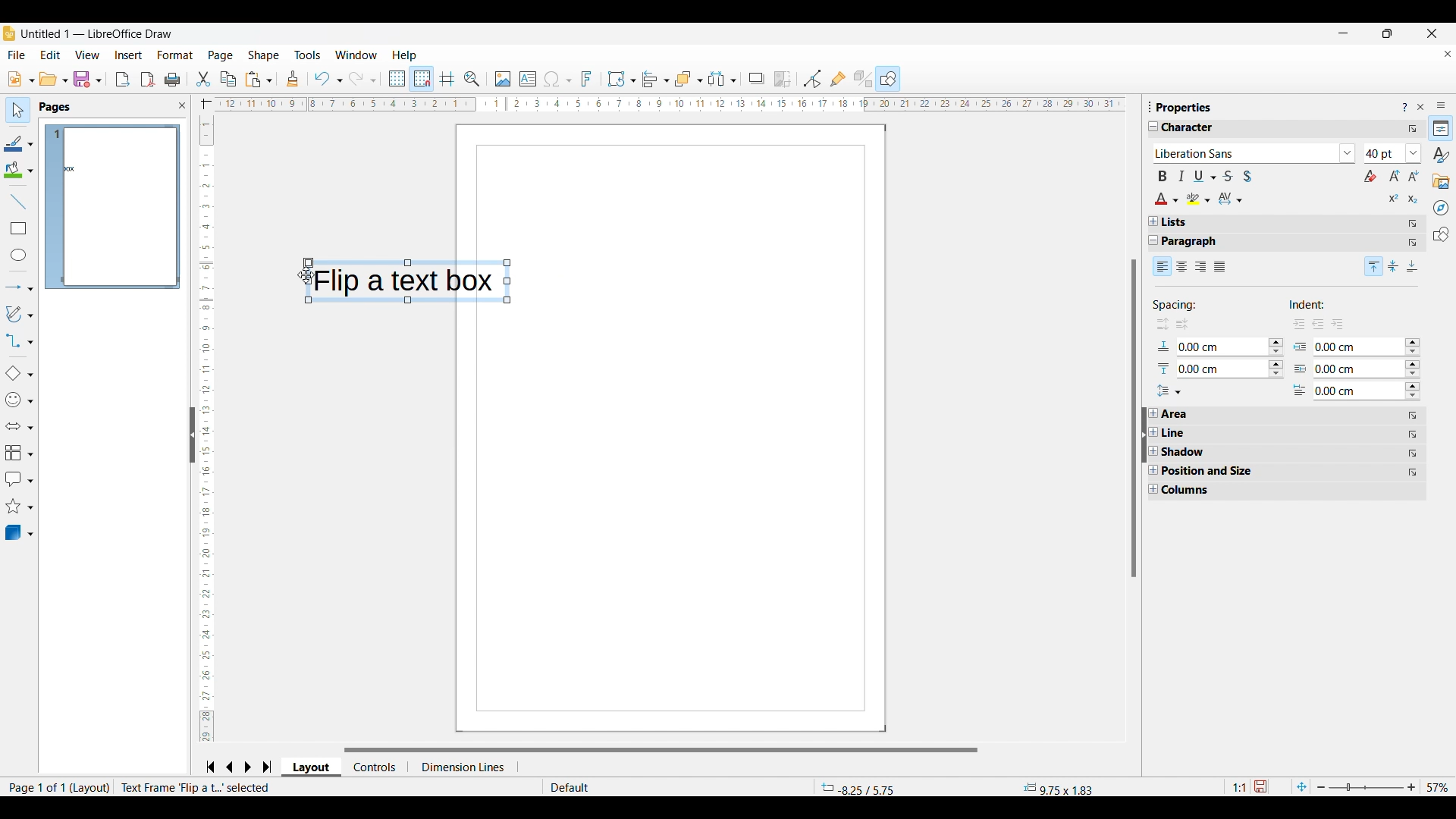 The height and width of the screenshot is (819, 1456). What do you see at coordinates (1440, 128) in the screenshot?
I see `Properties, current sidebar highlighted` at bounding box center [1440, 128].